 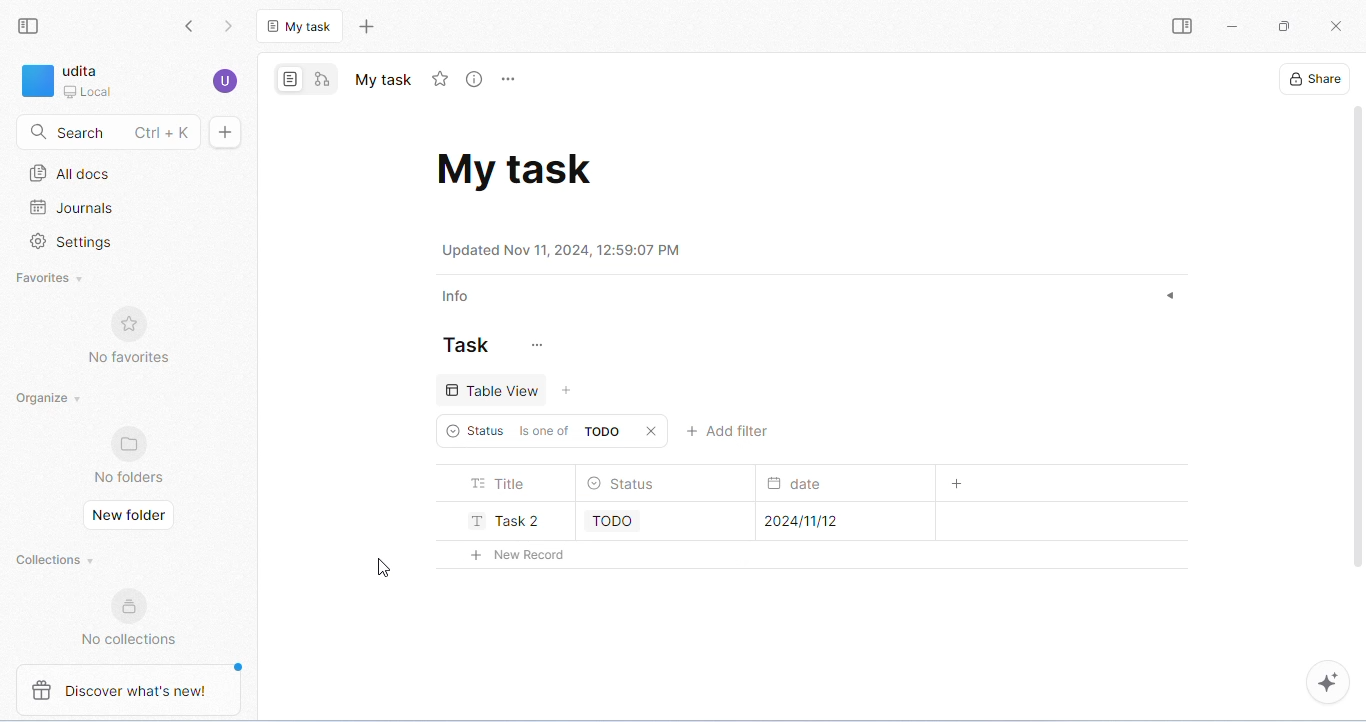 I want to click on new doc, so click(x=225, y=132).